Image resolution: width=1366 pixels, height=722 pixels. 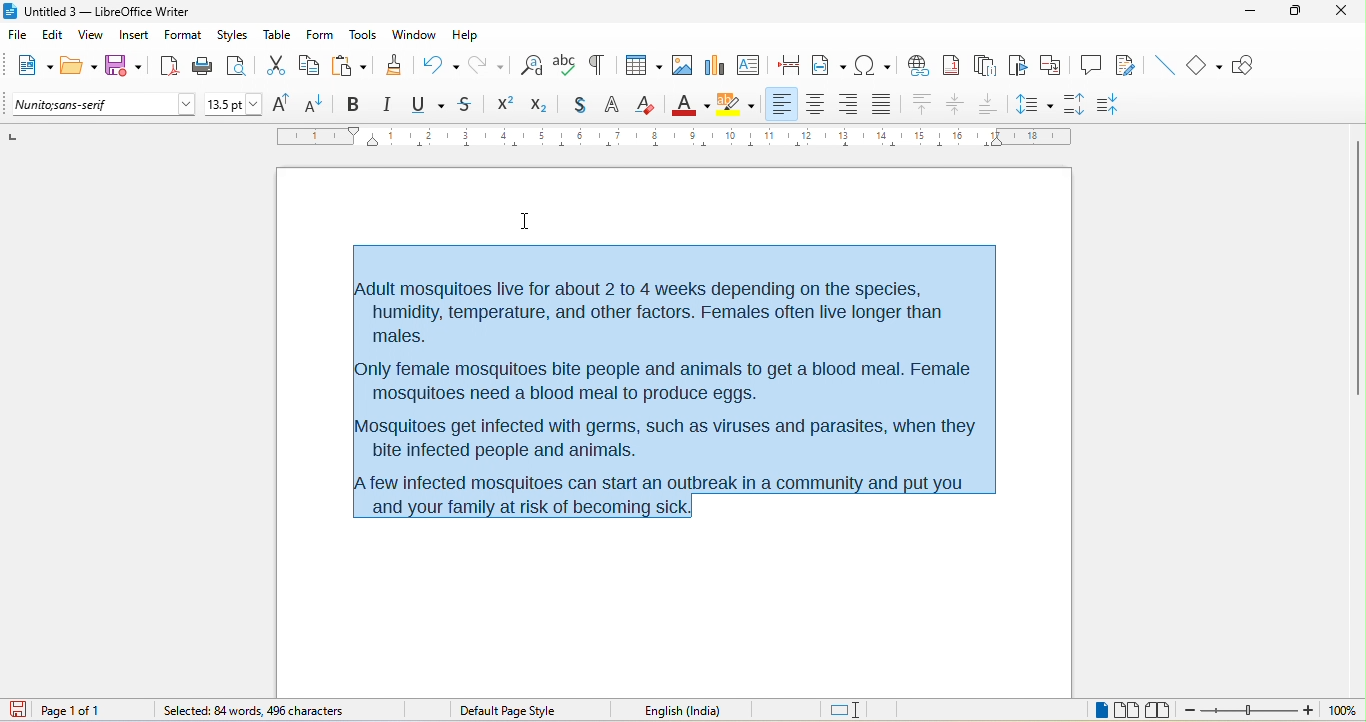 What do you see at coordinates (203, 67) in the screenshot?
I see `print` at bounding box center [203, 67].